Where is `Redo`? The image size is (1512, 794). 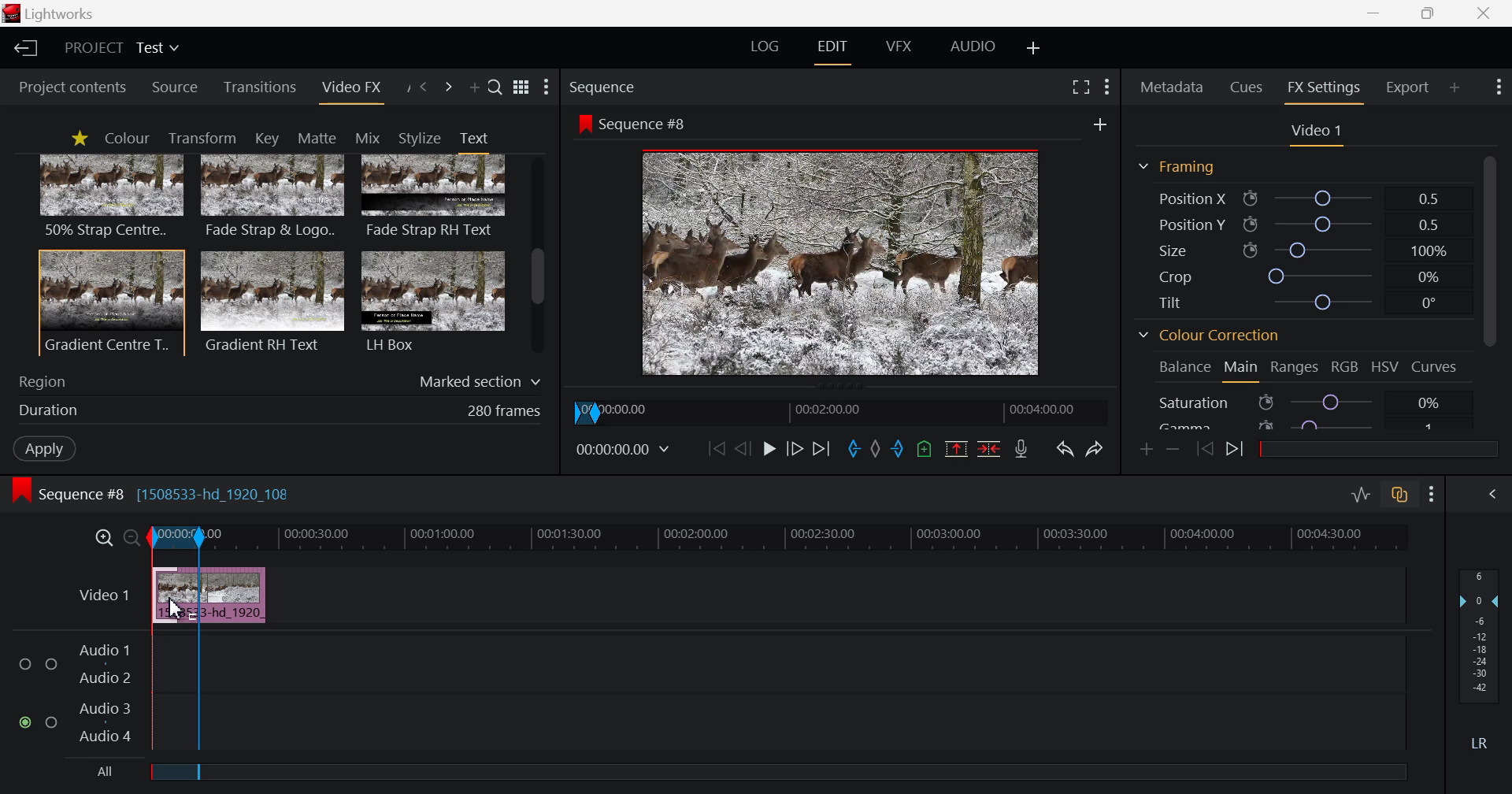 Redo is located at coordinates (1097, 447).